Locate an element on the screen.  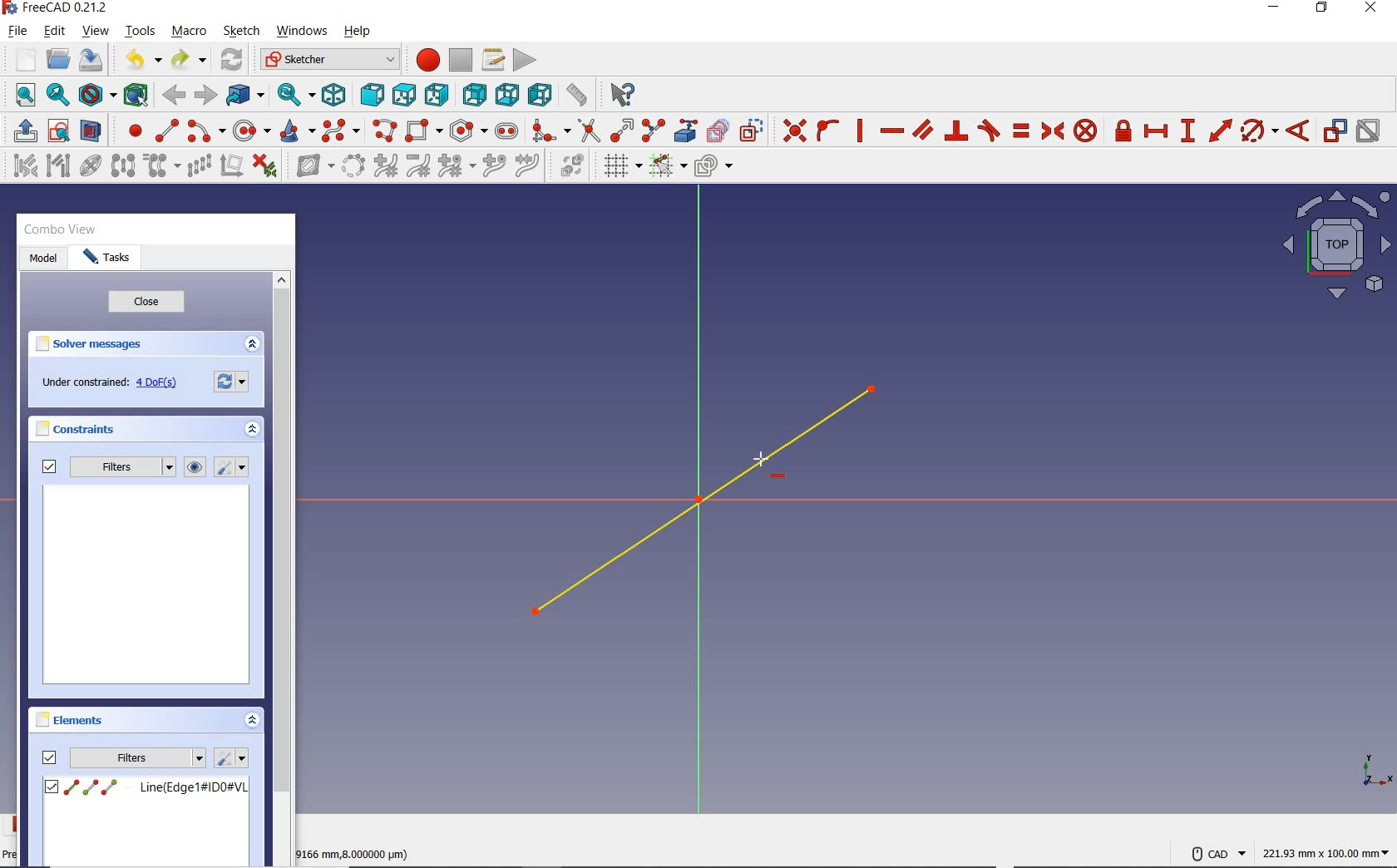
SAVE is located at coordinates (94, 61).